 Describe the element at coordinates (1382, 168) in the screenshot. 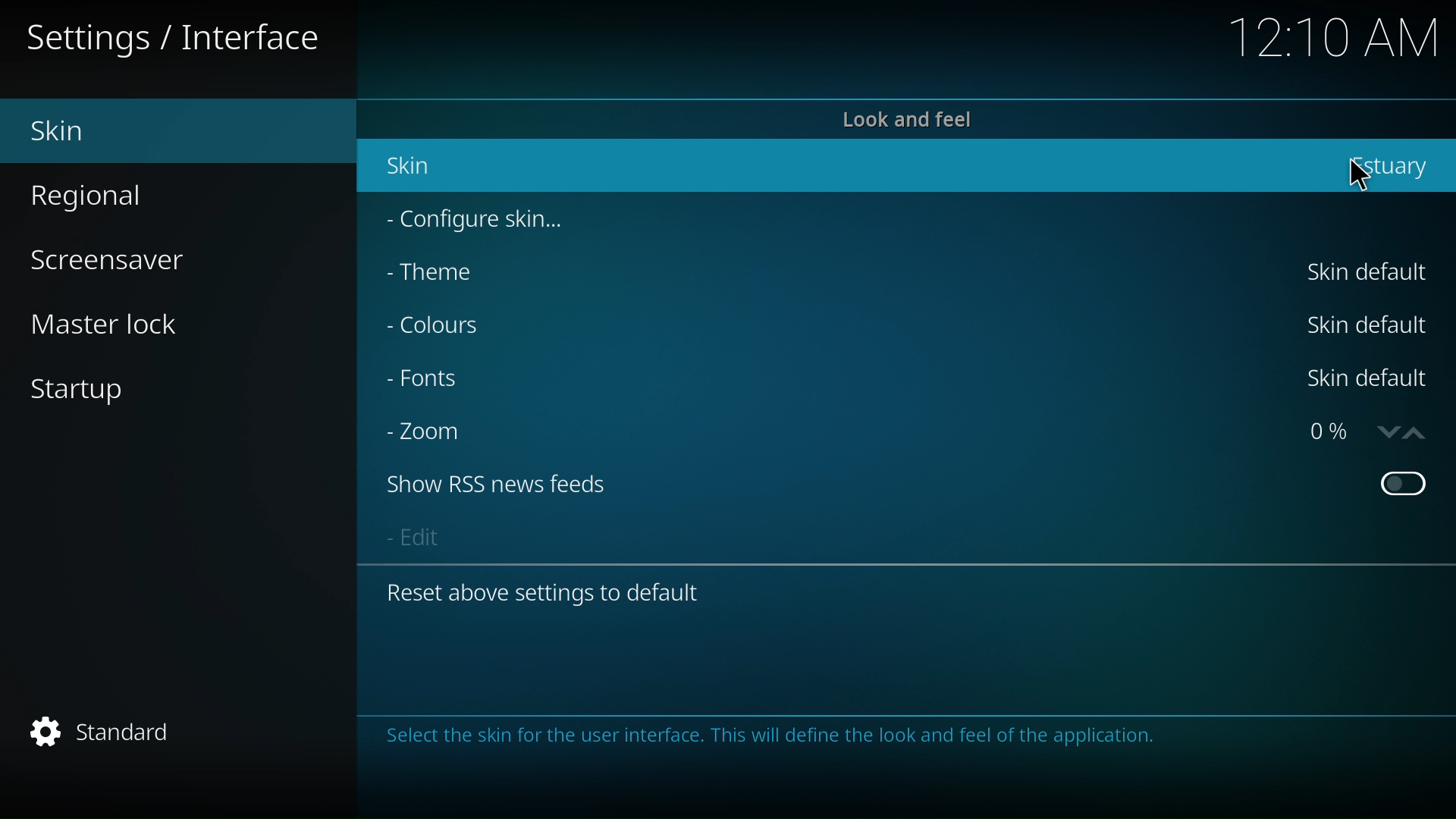

I see `estuary` at that location.